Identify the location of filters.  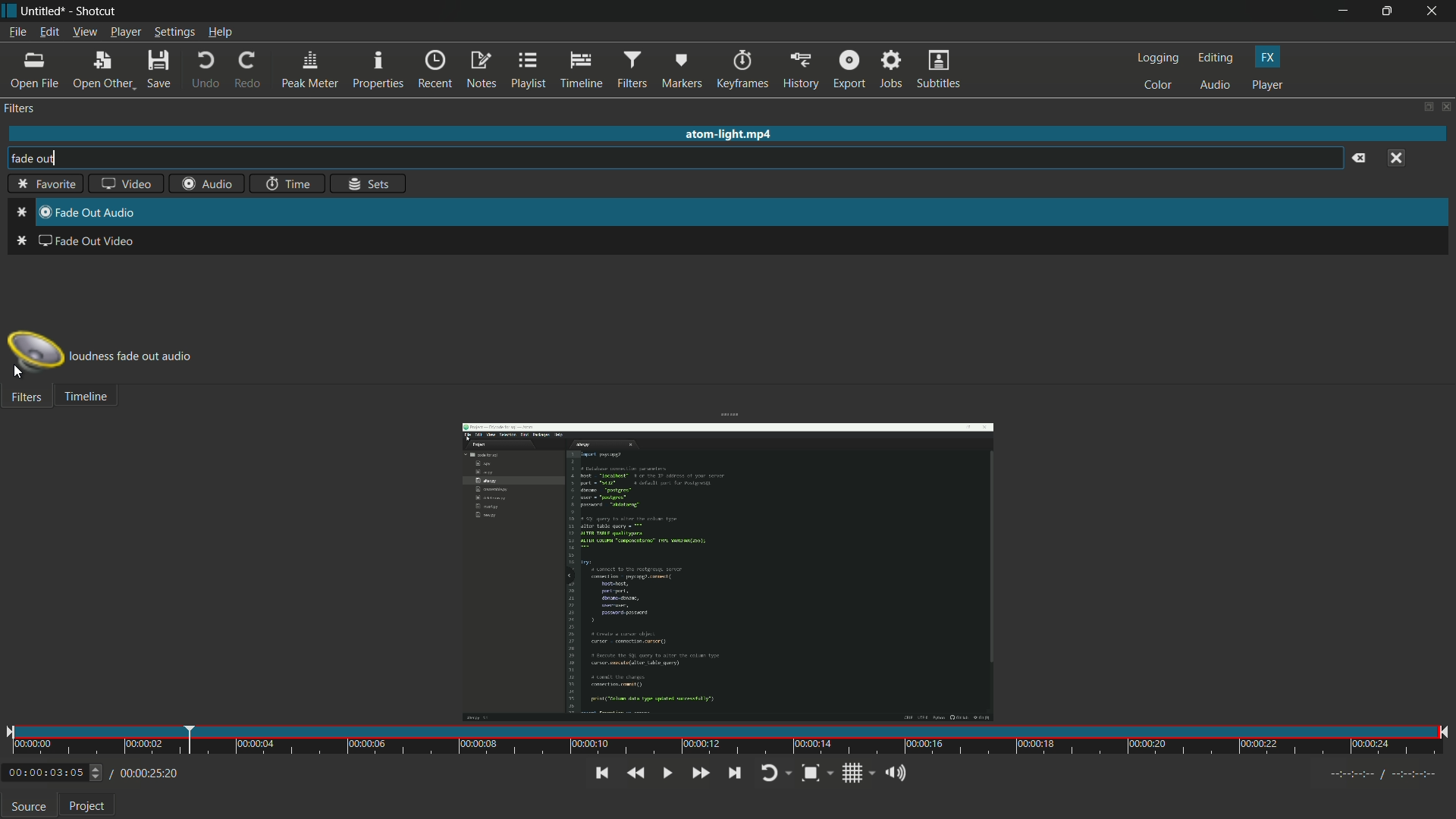
(19, 108).